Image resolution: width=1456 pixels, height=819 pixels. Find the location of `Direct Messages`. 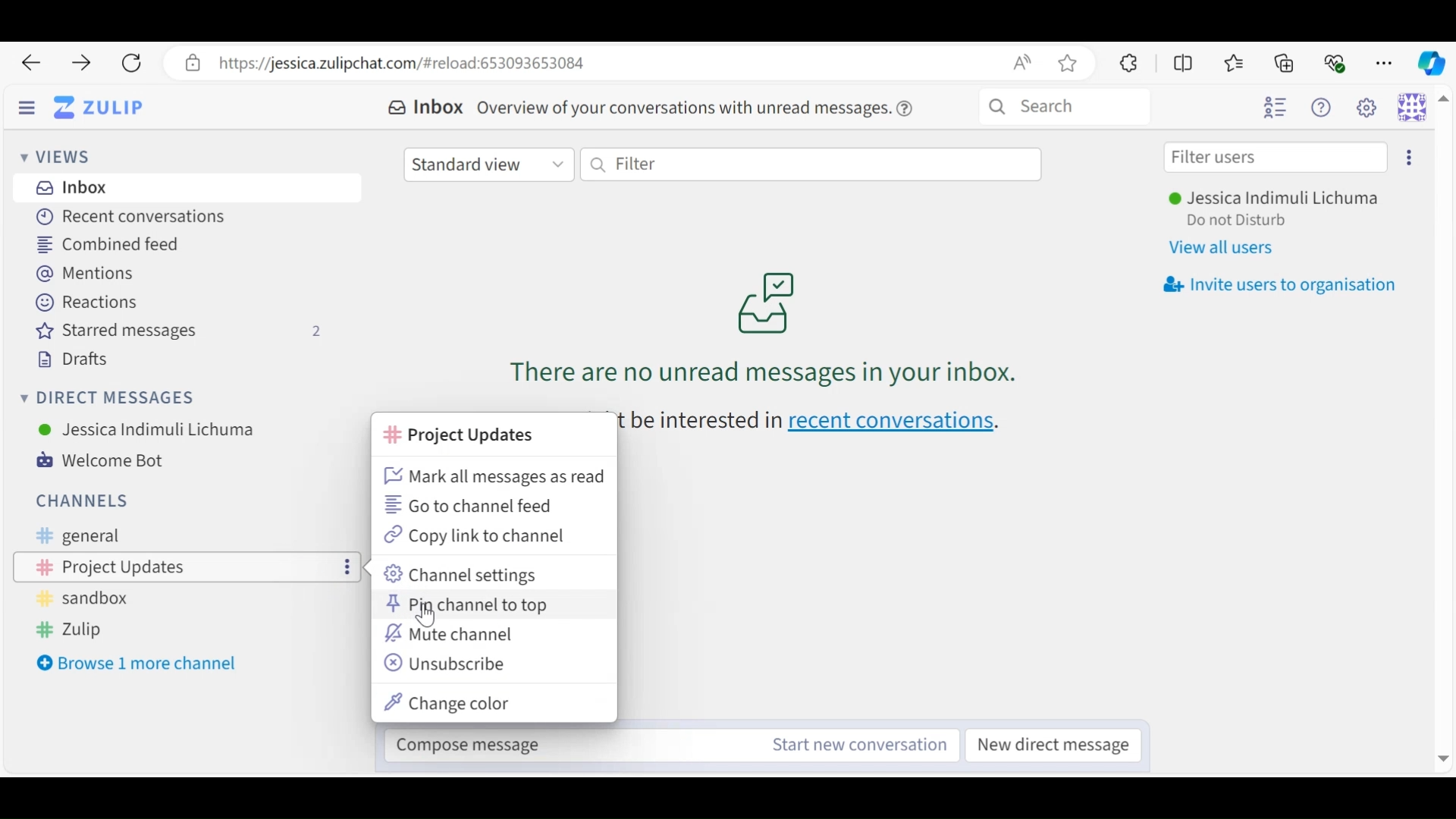

Direct Messages is located at coordinates (111, 398).